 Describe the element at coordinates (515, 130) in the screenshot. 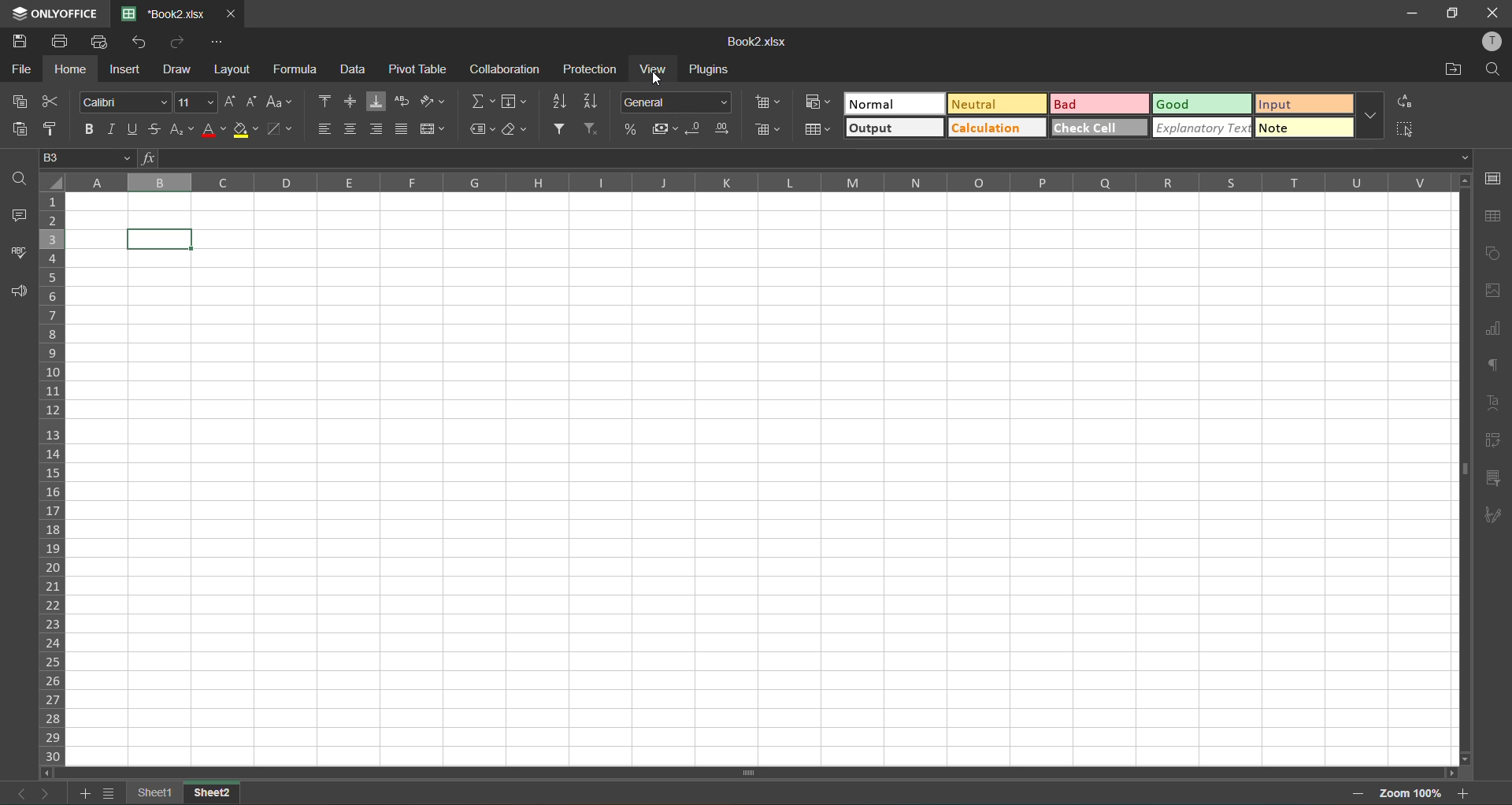

I see `clear` at that location.